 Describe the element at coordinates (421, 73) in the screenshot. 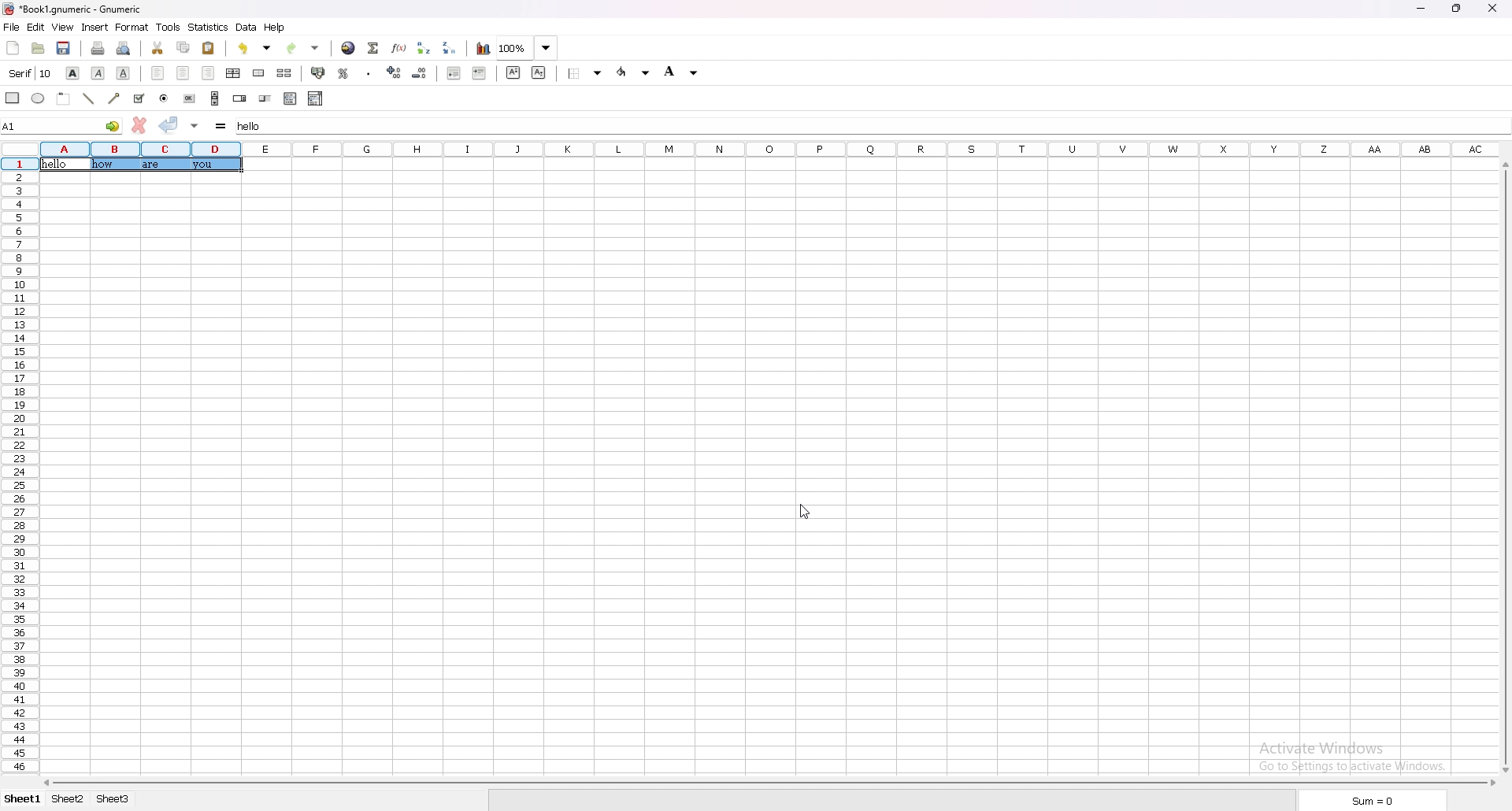

I see `decrease decimal` at that location.